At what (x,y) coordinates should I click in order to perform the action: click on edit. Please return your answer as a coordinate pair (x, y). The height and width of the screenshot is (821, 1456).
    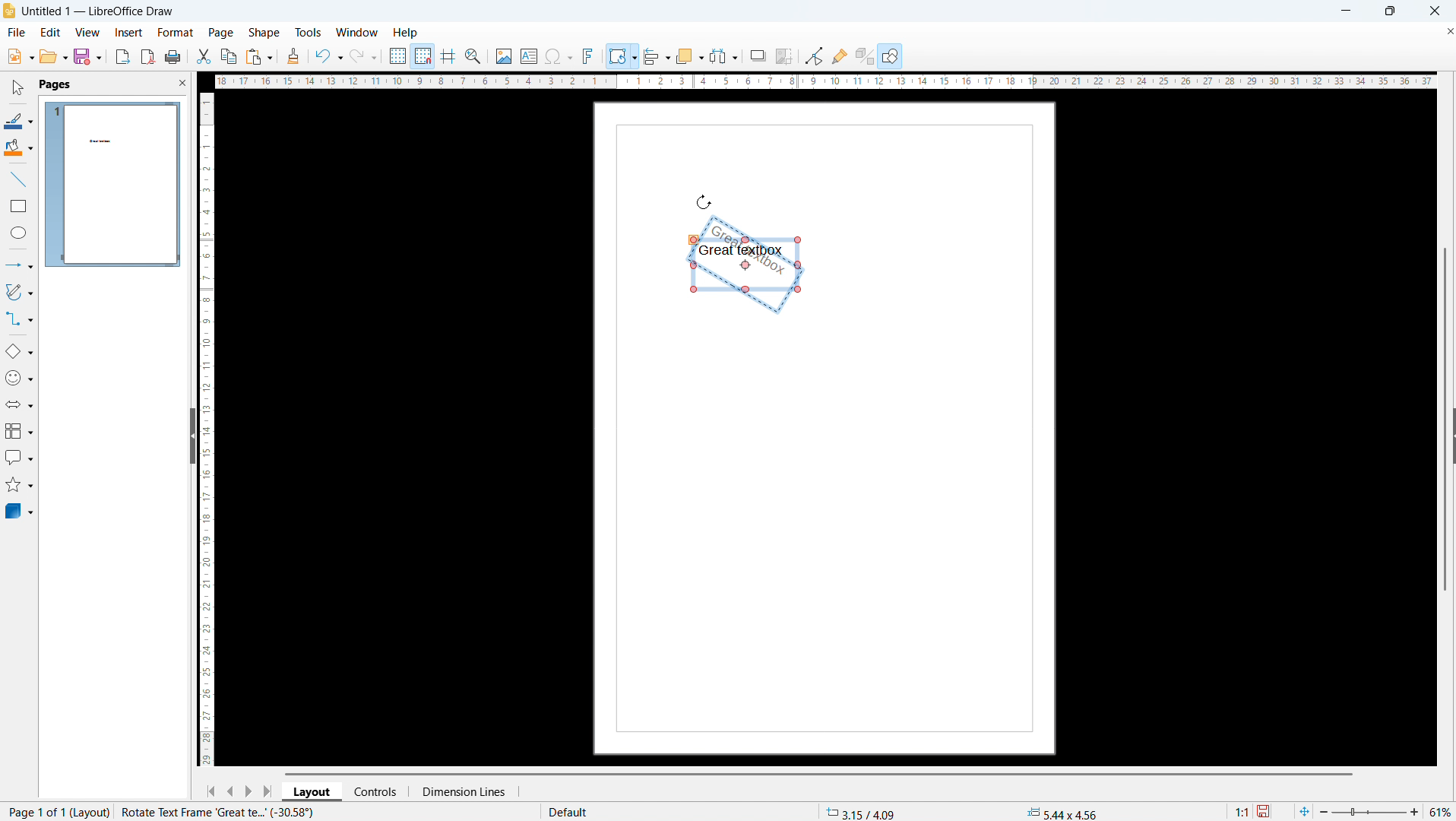
    Looking at the image, I should click on (49, 32).